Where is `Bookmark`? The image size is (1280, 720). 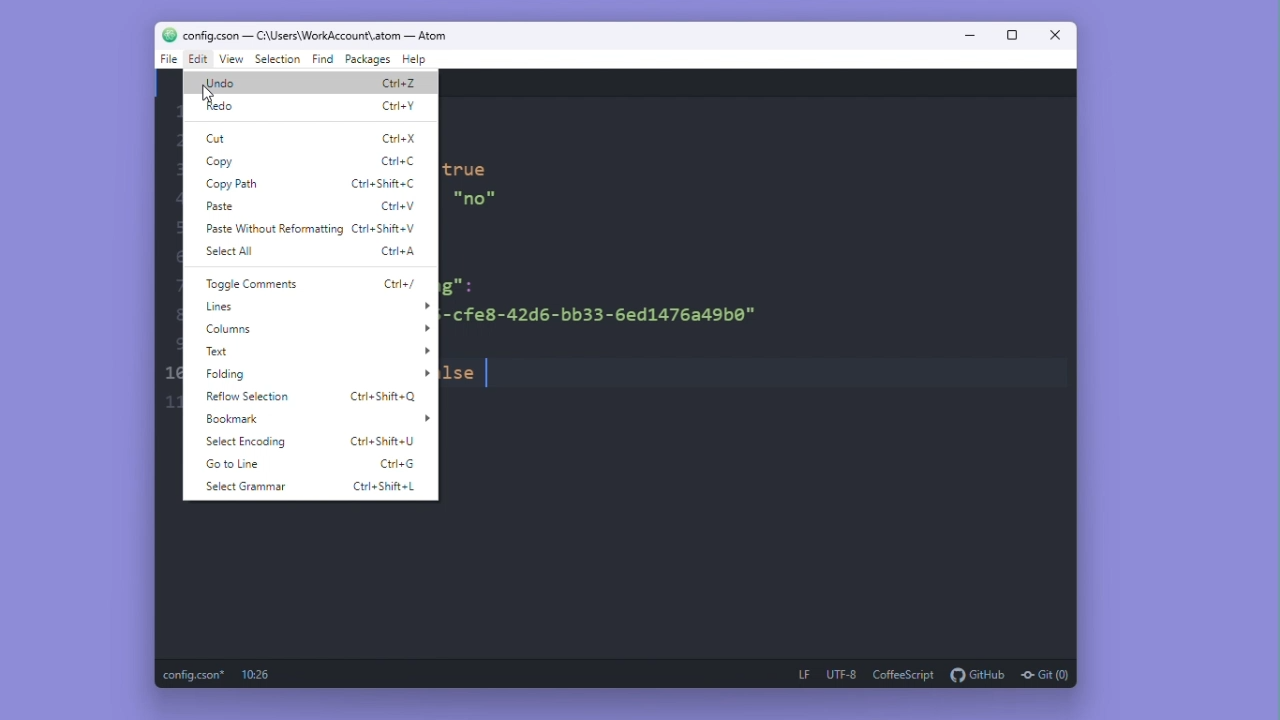
Bookmark is located at coordinates (316, 420).